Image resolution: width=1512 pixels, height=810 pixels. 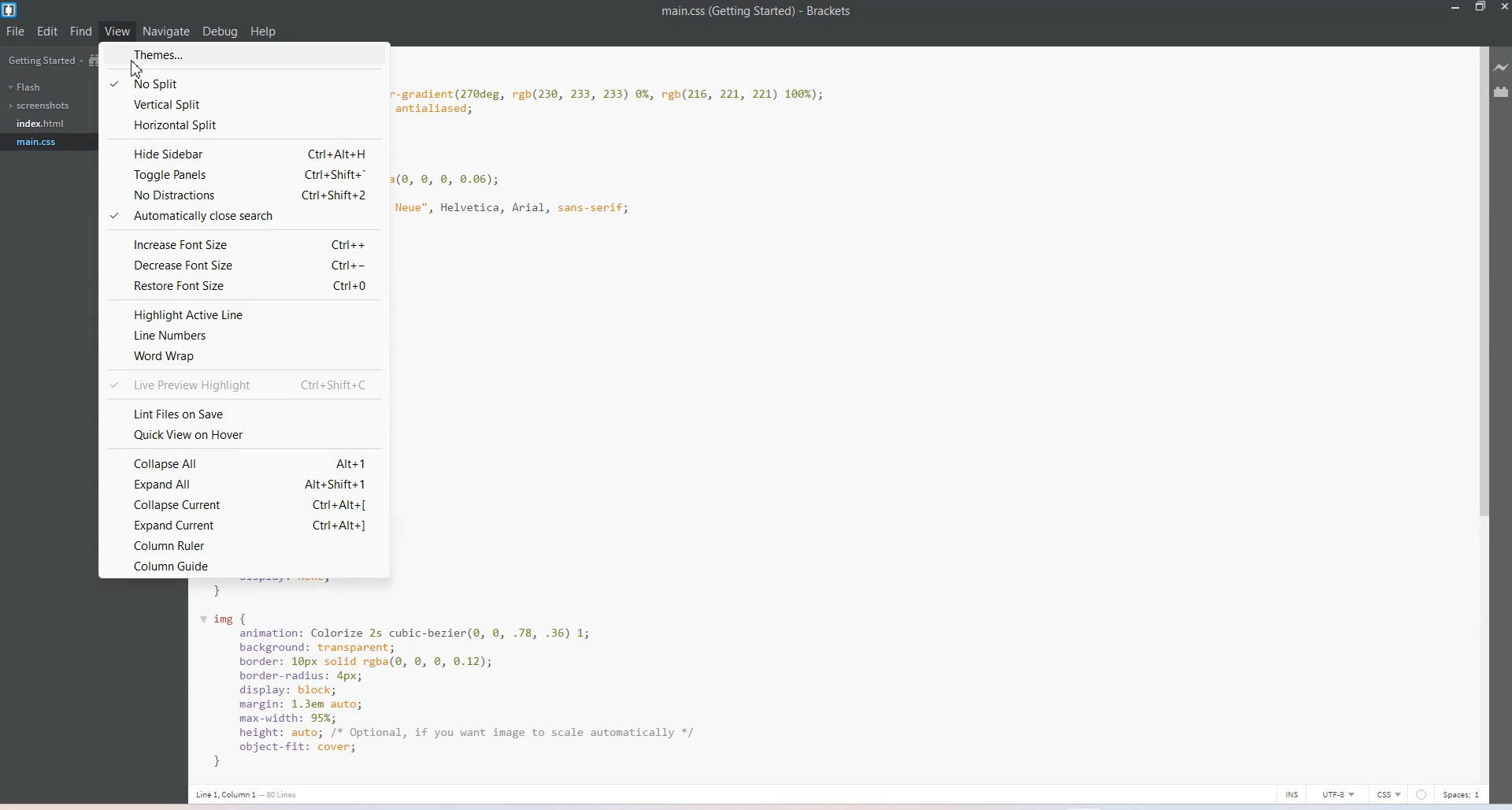 I want to click on Maximize, so click(x=1481, y=8).